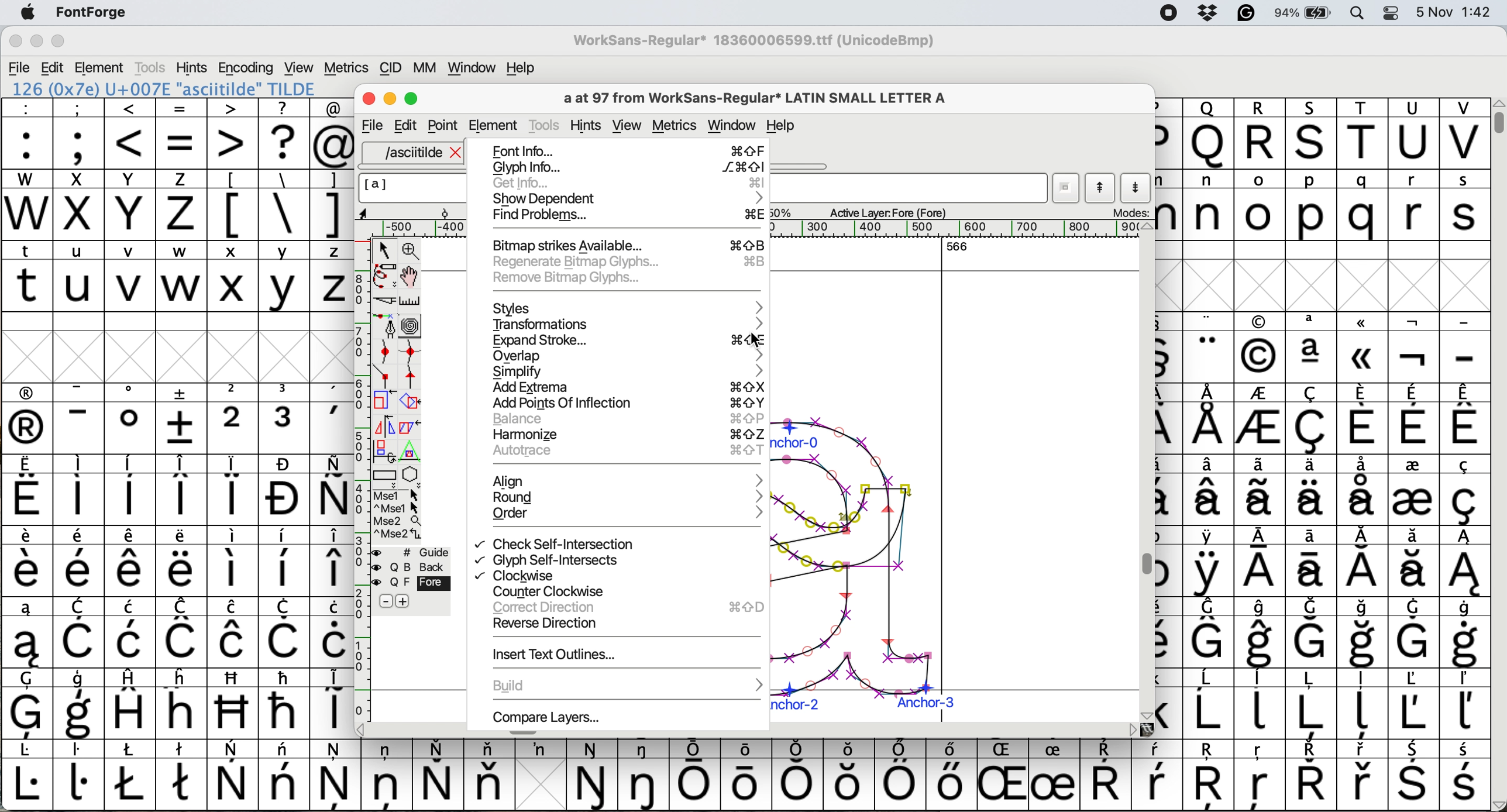 This screenshot has height=812, width=1507. Describe the element at coordinates (1463, 704) in the screenshot. I see `symbol` at that location.